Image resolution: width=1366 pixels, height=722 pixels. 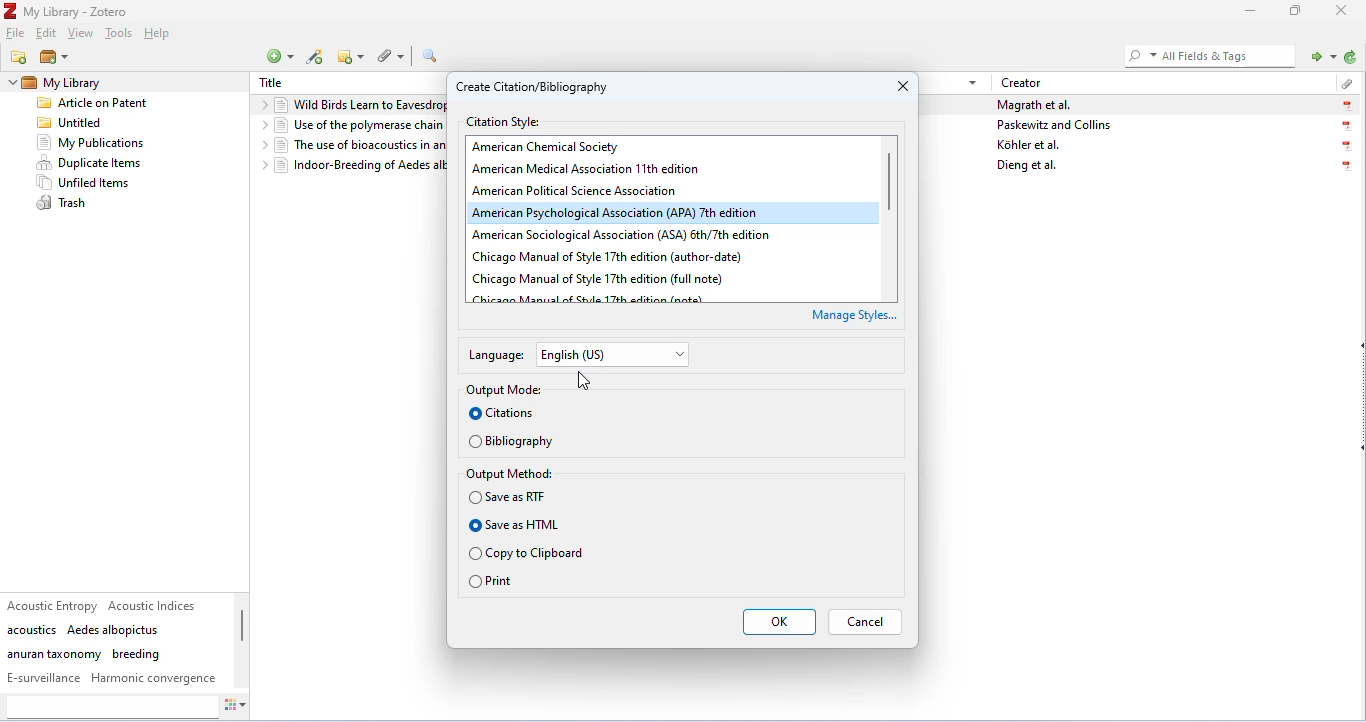 What do you see at coordinates (84, 630) in the screenshot?
I see `acoustics Aedes albopictus` at bounding box center [84, 630].